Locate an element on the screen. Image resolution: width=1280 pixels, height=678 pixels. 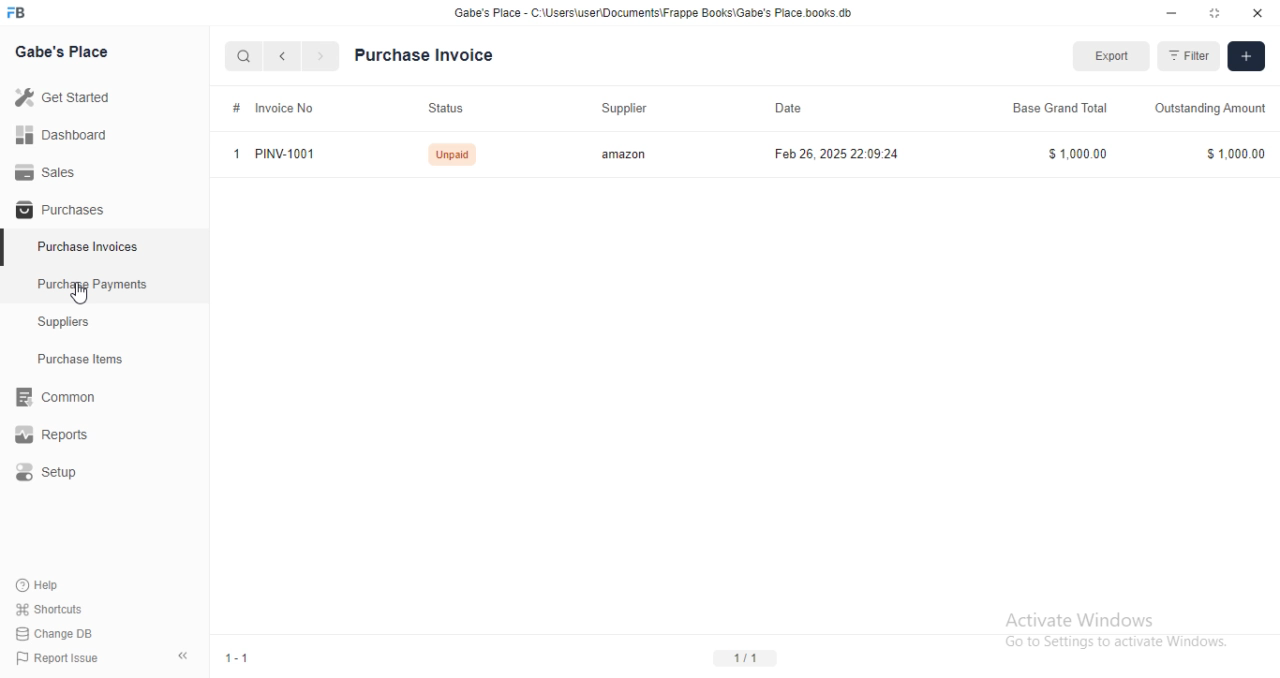
1 is located at coordinates (236, 154).